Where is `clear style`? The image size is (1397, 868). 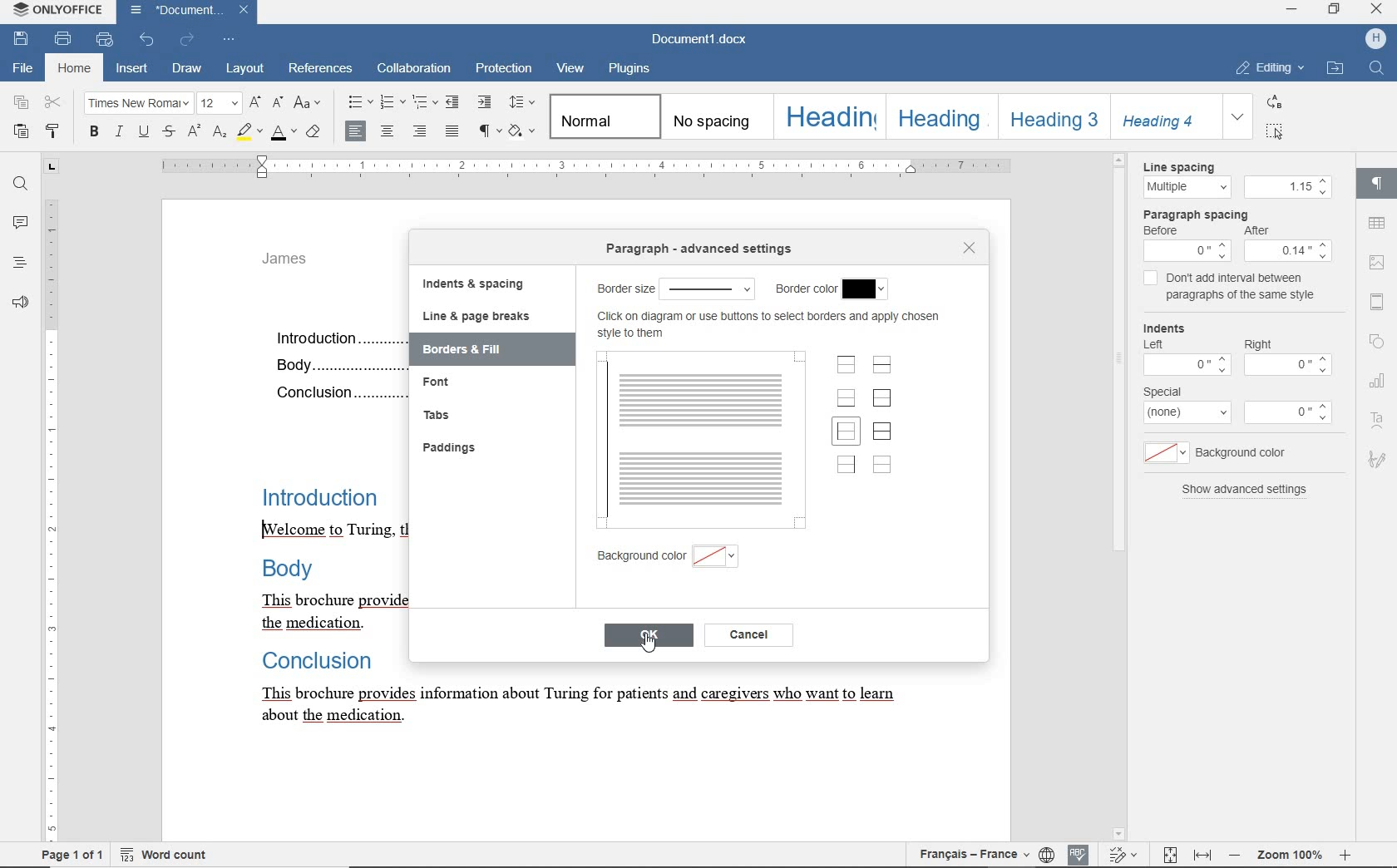
clear style is located at coordinates (314, 131).